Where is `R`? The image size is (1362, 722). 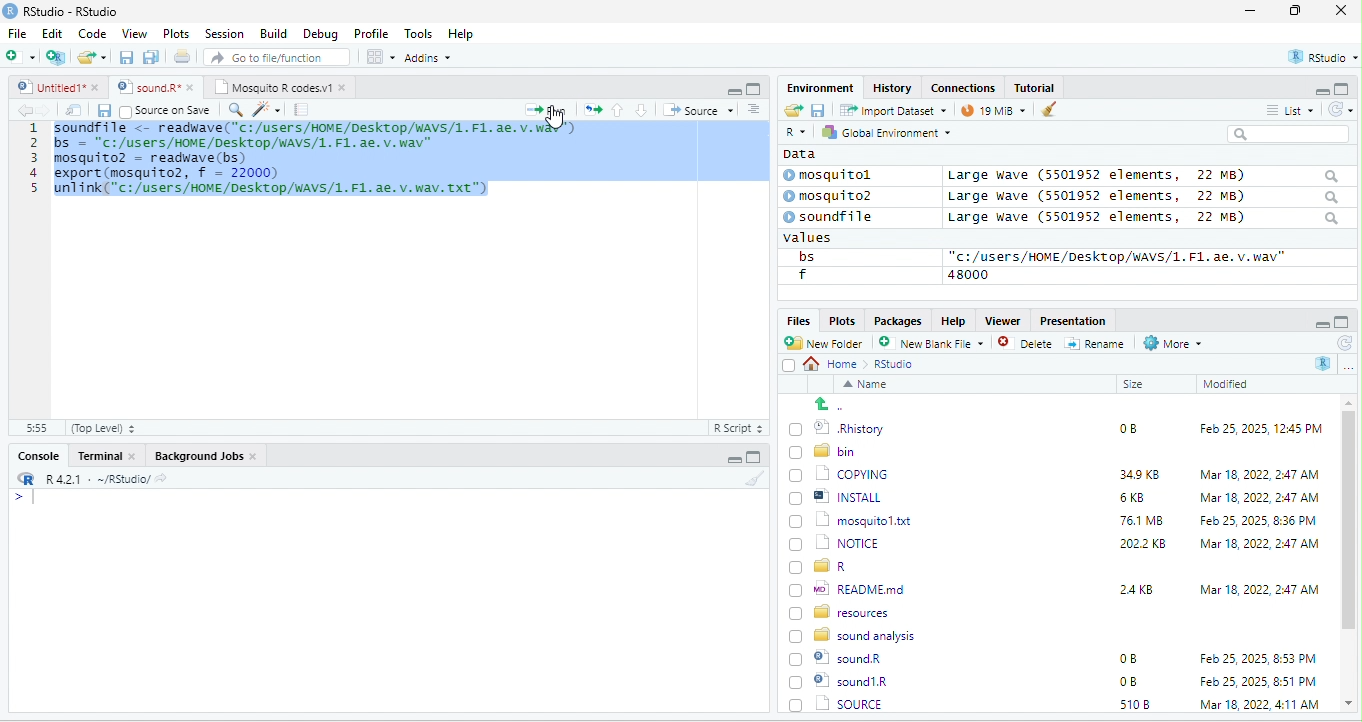
R is located at coordinates (1324, 363).